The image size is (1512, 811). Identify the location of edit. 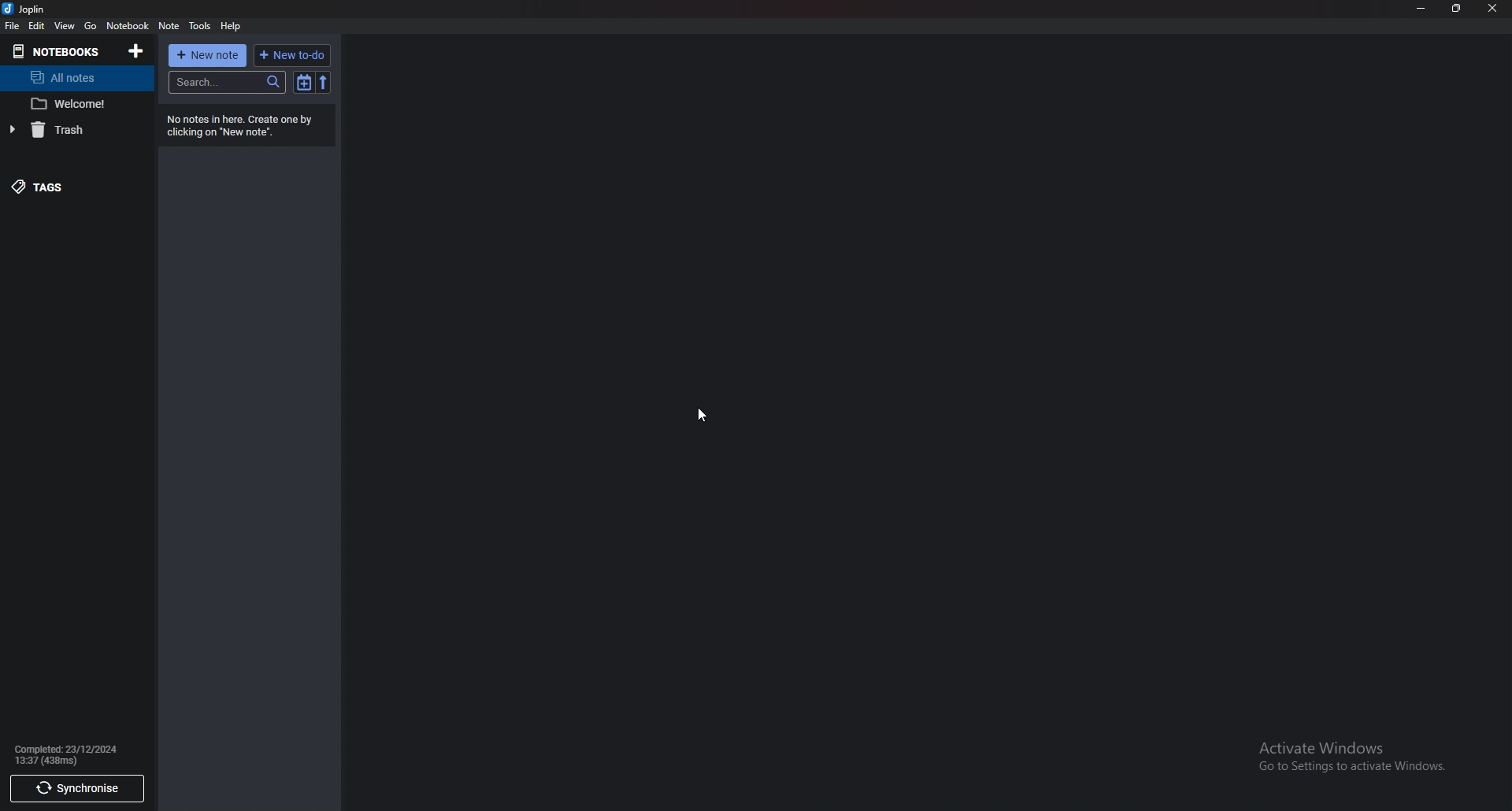
(36, 26).